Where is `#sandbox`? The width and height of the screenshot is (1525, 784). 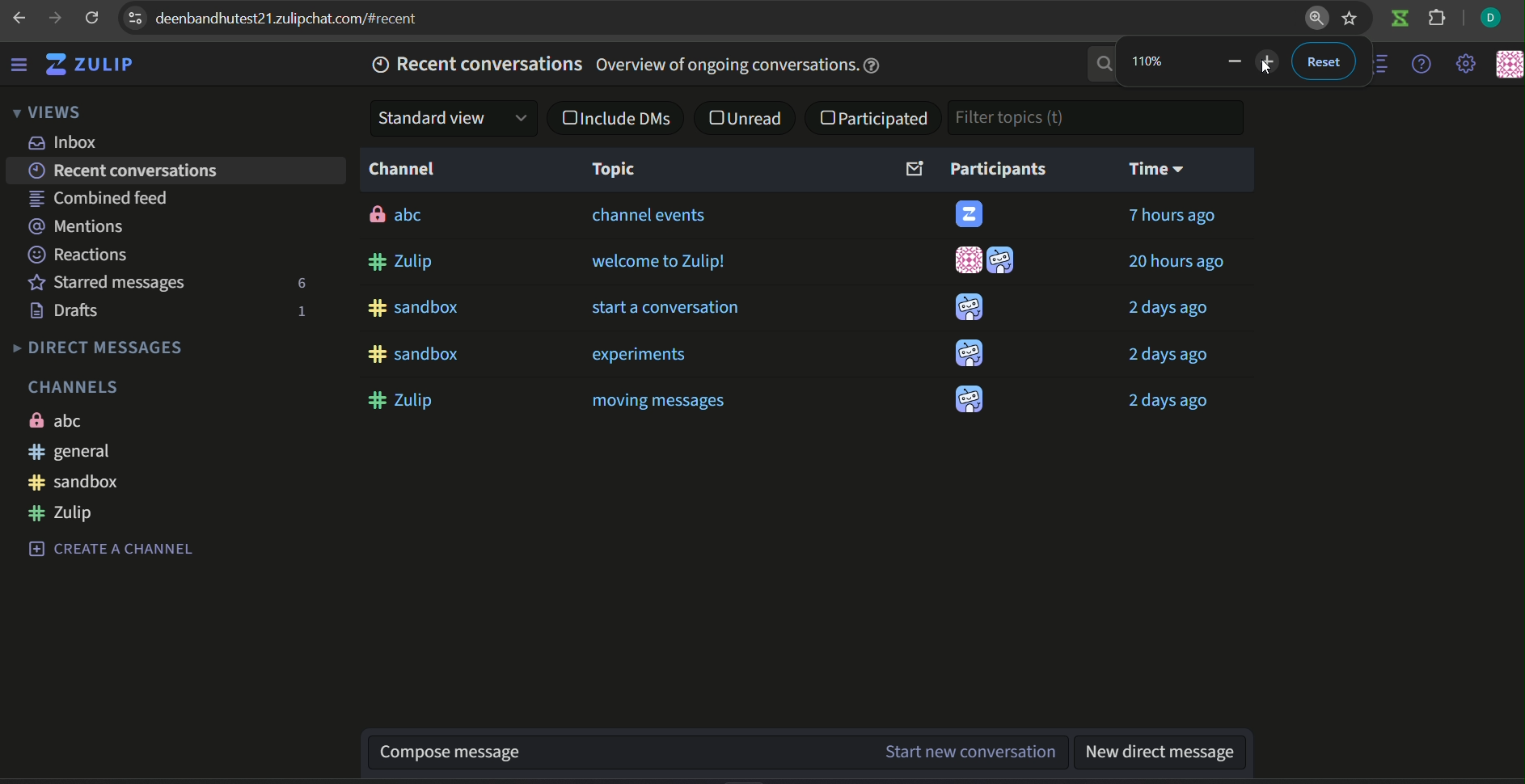
#sandbox is located at coordinates (425, 354).